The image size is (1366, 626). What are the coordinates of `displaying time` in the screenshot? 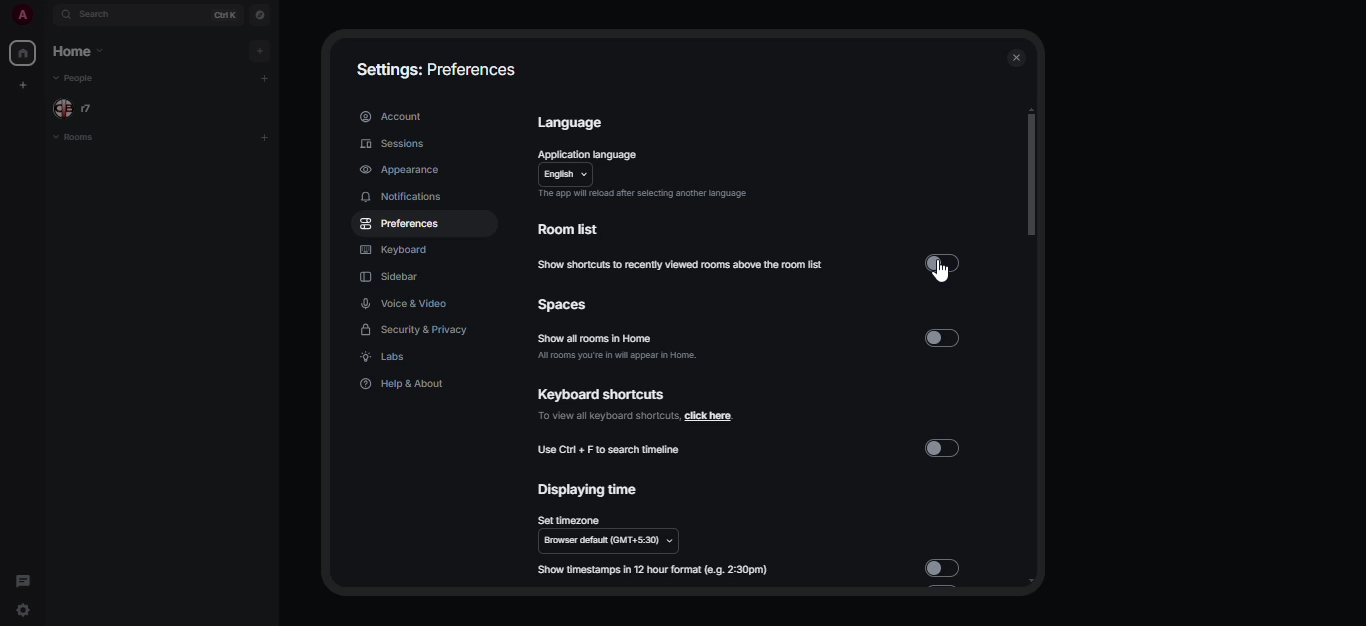 It's located at (583, 490).